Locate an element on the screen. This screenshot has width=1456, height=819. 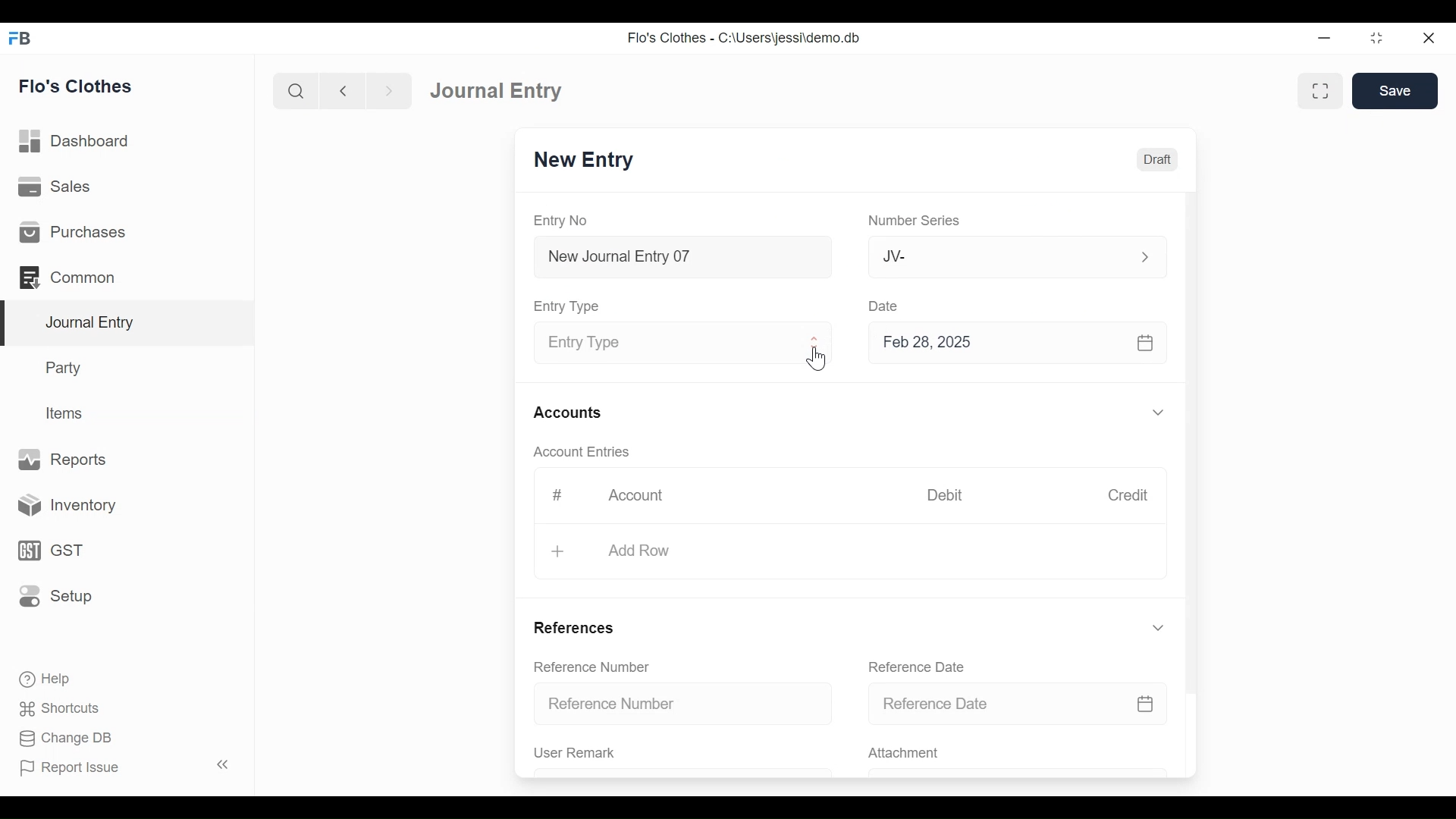
Shortcuts is located at coordinates (68, 706).